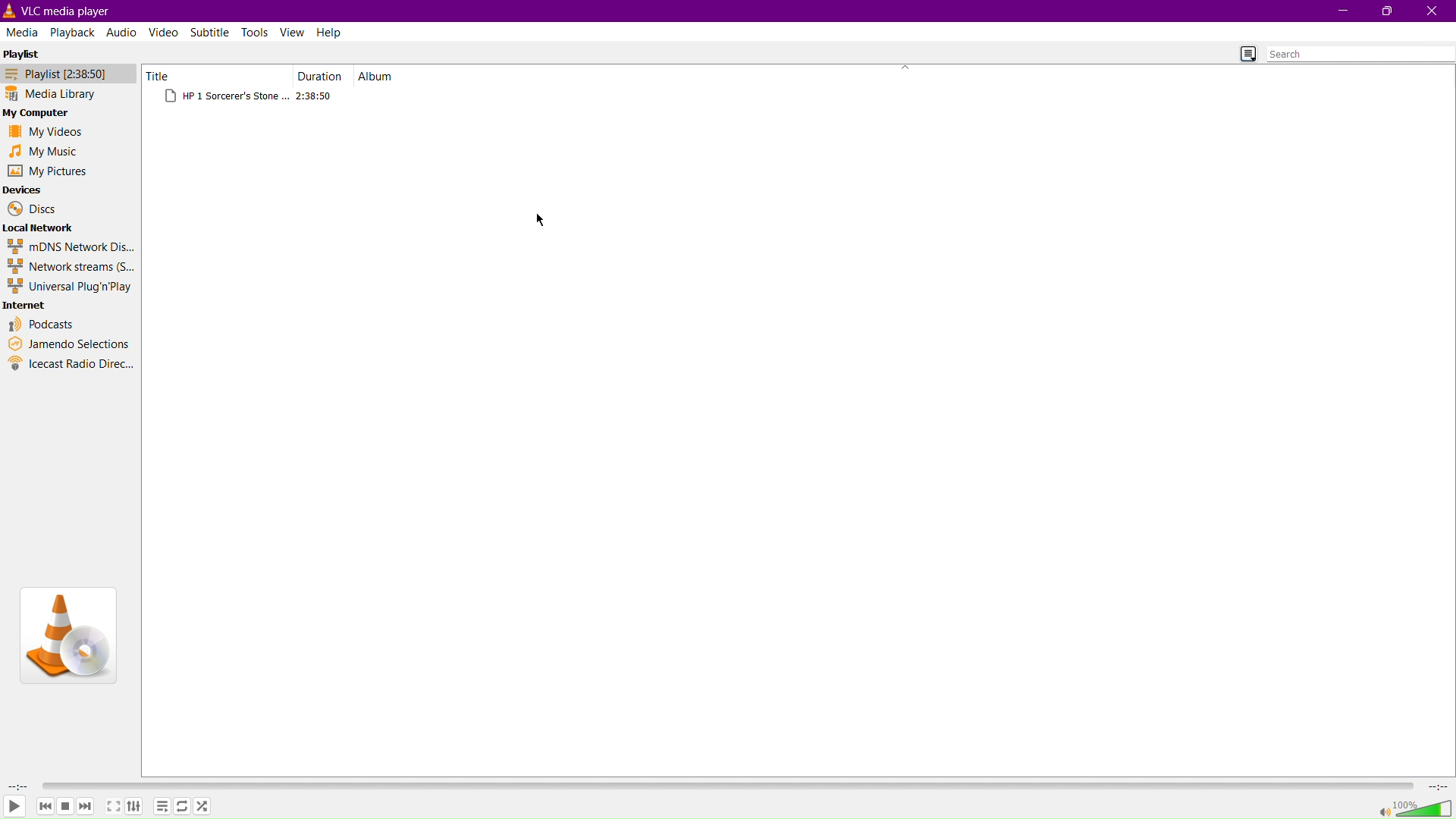 This screenshot has height=819, width=1456. I want to click on Maximize, so click(1386, 11).